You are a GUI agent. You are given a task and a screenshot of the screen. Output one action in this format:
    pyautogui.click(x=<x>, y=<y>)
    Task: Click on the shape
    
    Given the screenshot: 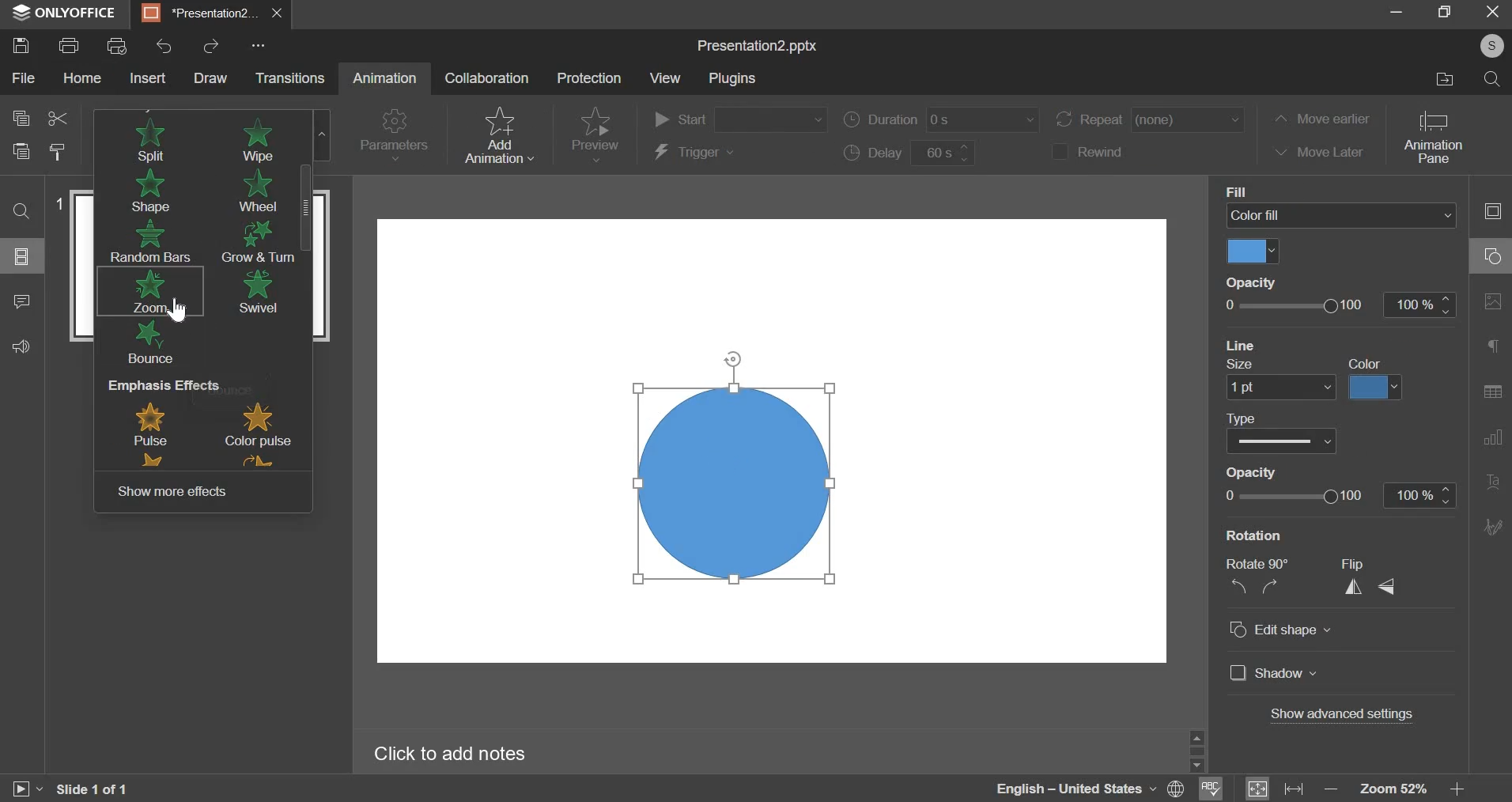 What is the action you would take?
    pyautogui.click(x=146, y=191)
    